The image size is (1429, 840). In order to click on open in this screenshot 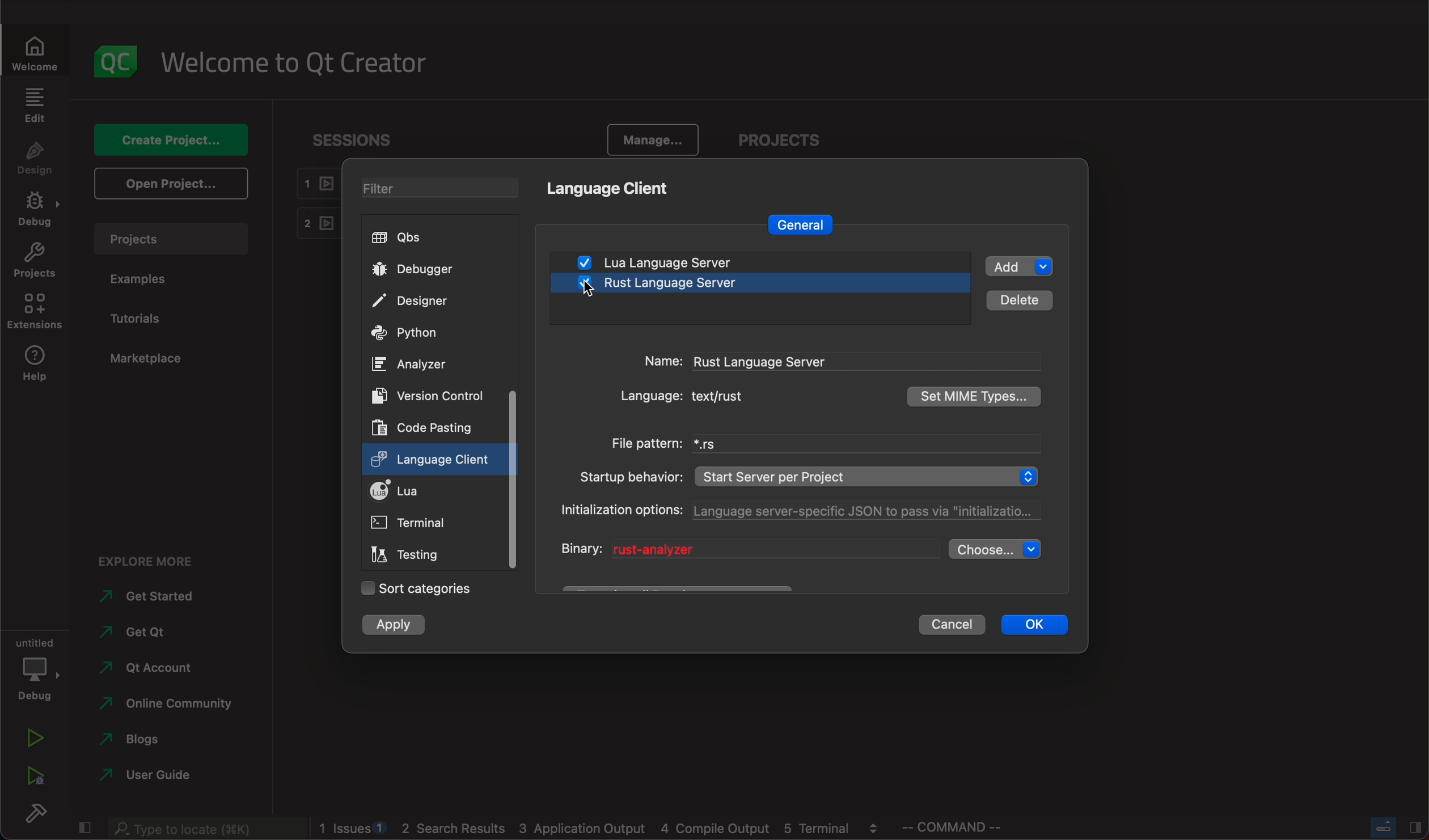, I will do `click(170, 182)`.